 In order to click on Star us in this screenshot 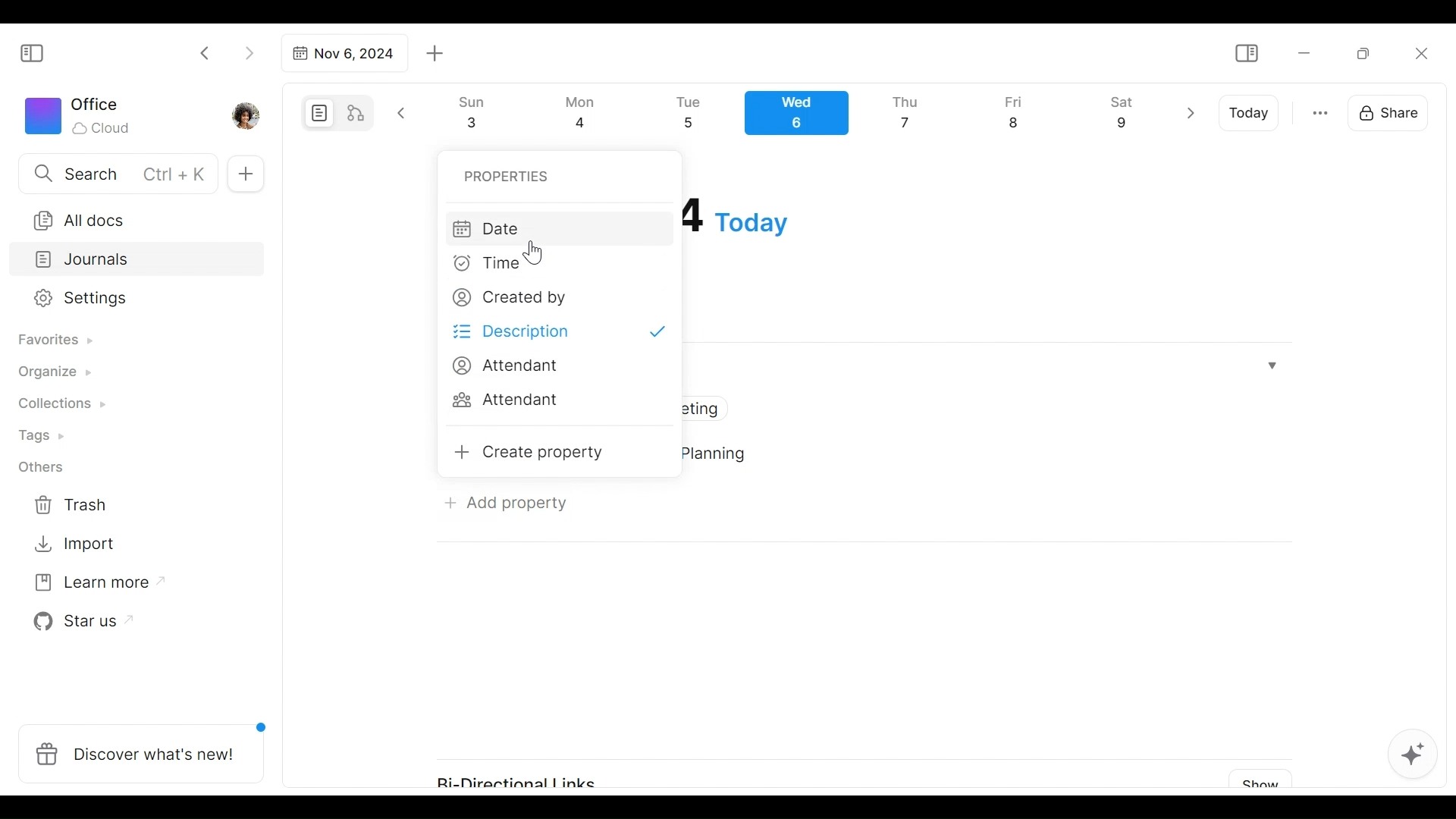, I will do `click(79, 622)`.